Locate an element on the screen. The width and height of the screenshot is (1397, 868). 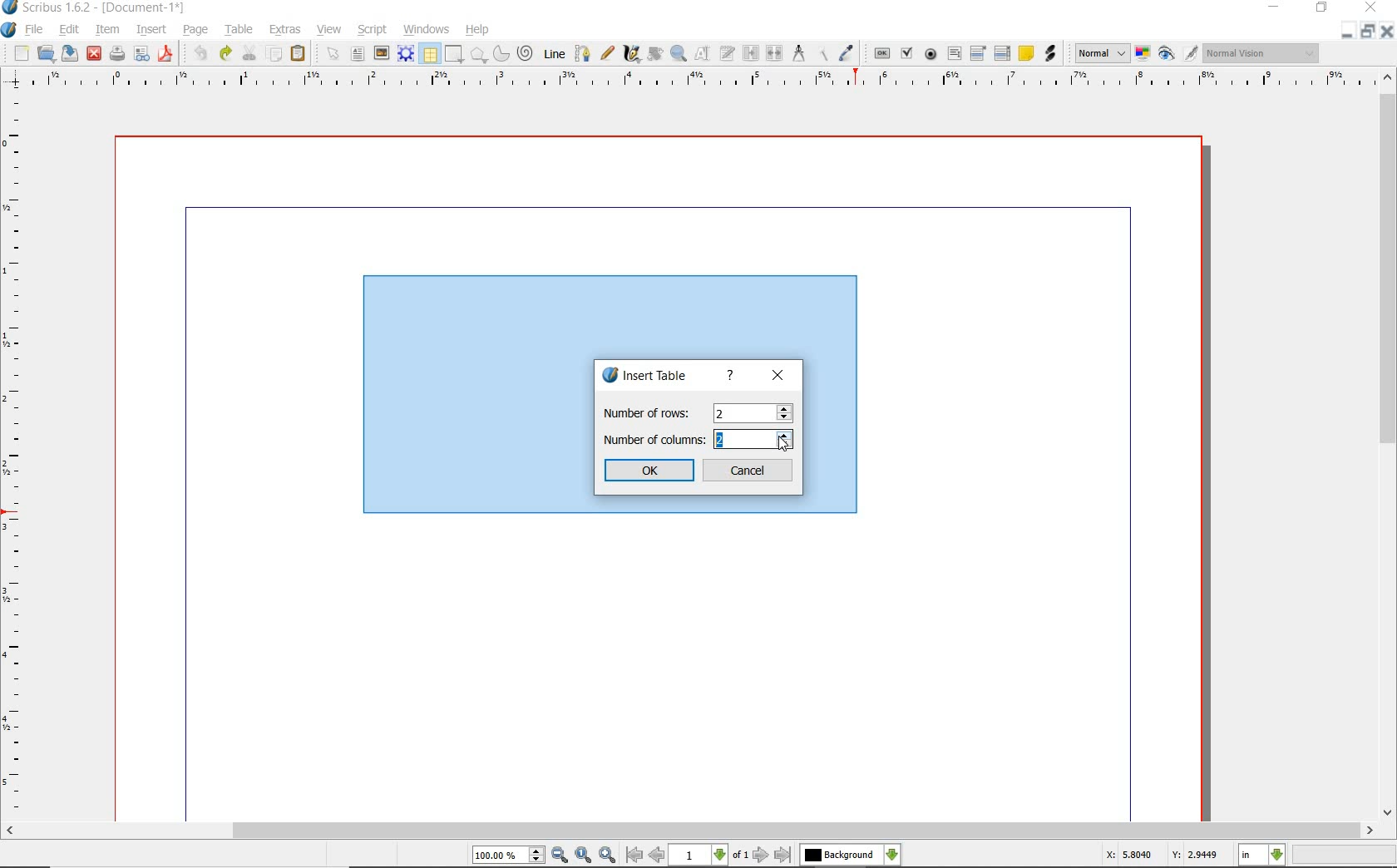
copy is located at coordinates (275, 55).